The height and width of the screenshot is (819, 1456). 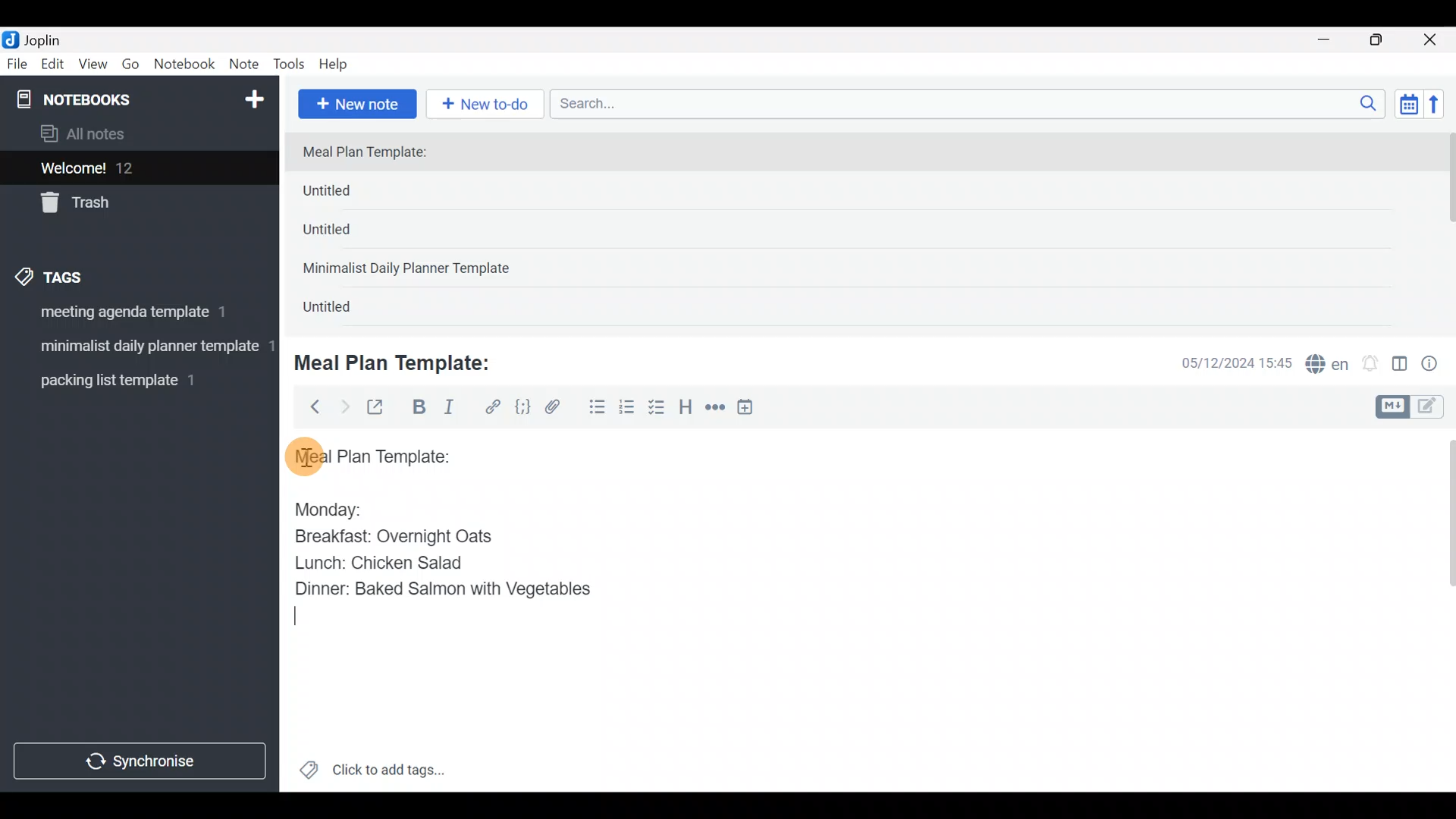 I want to click on Click to add tags, so click(x=372, y=775).